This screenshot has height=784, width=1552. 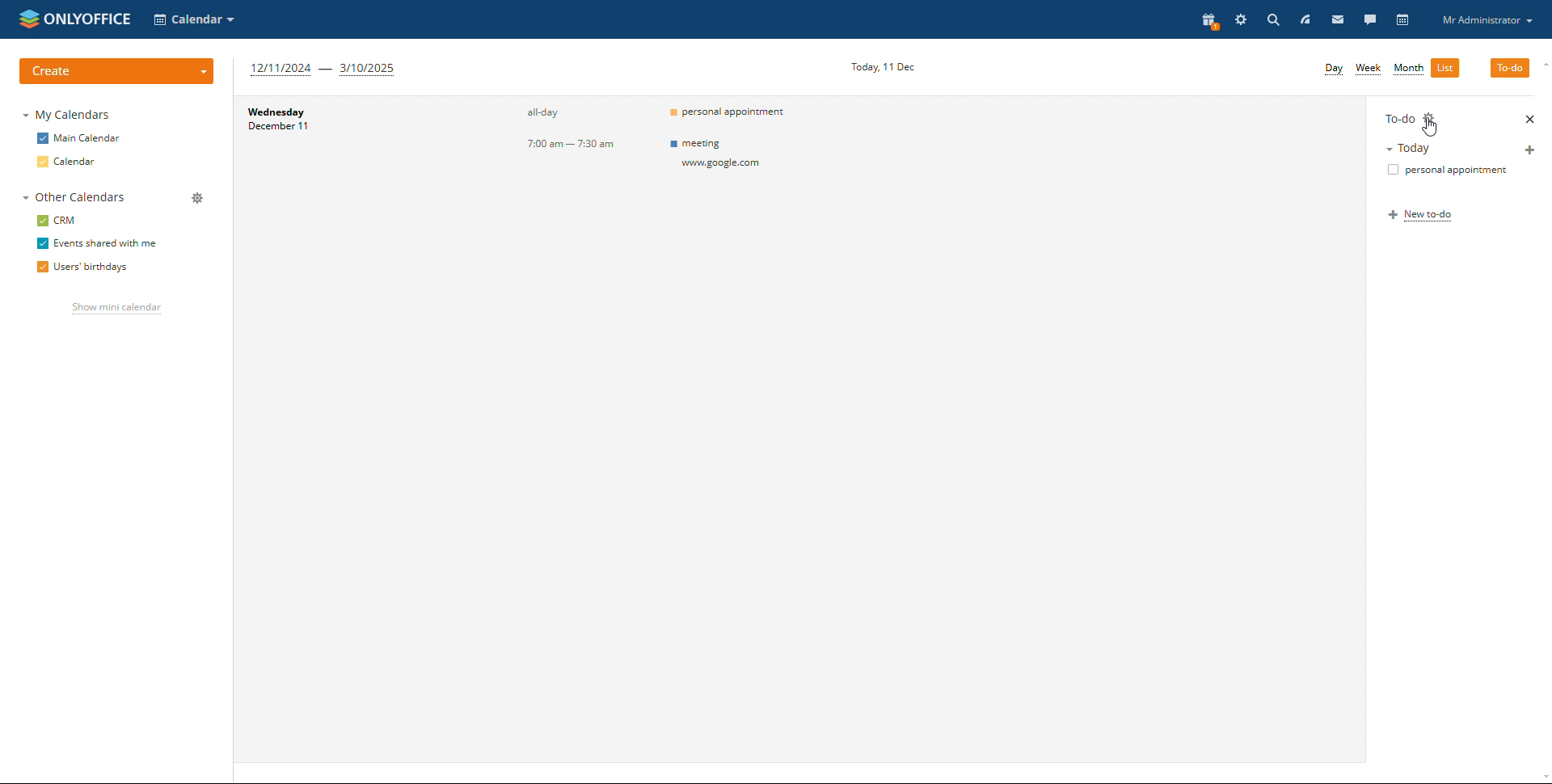 What do you see at coordinates (1402, 20) in the screenshot?
I see `calendar` at bounding box center [1402, 20].